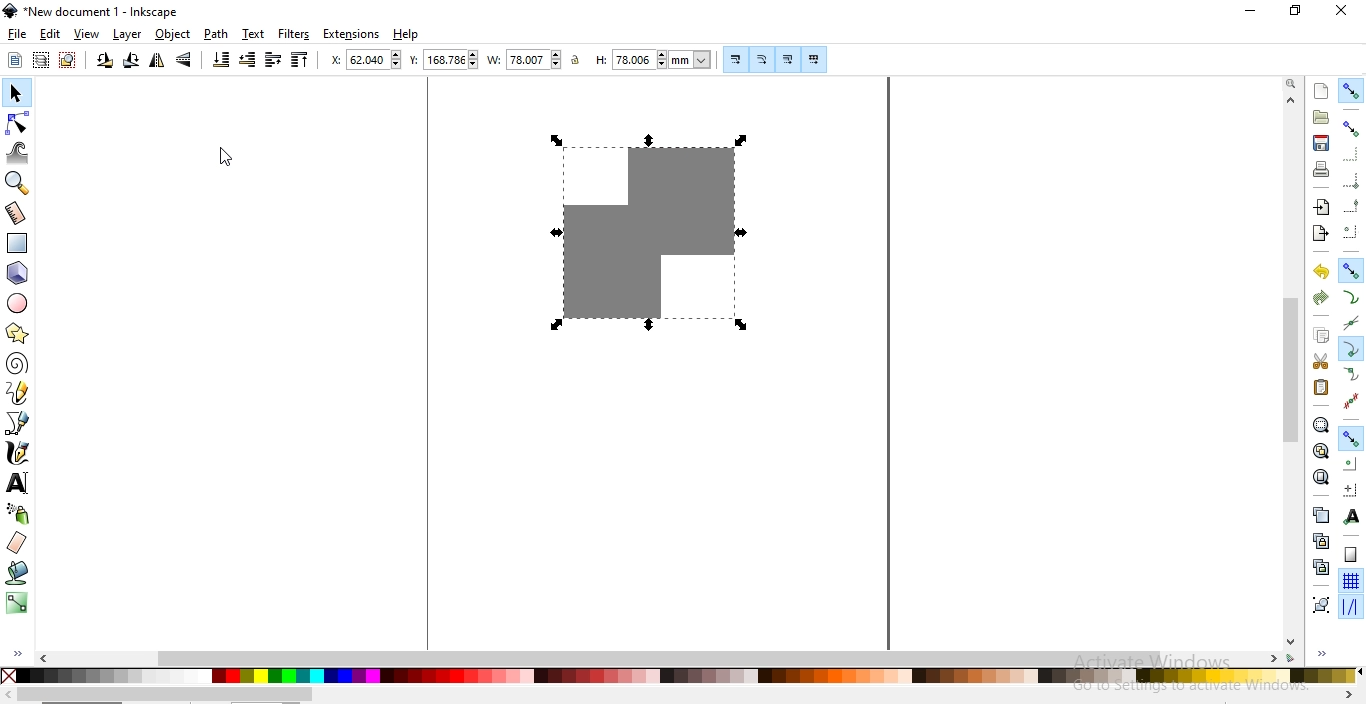  I want to click on measurement tool, so click(17, 213).